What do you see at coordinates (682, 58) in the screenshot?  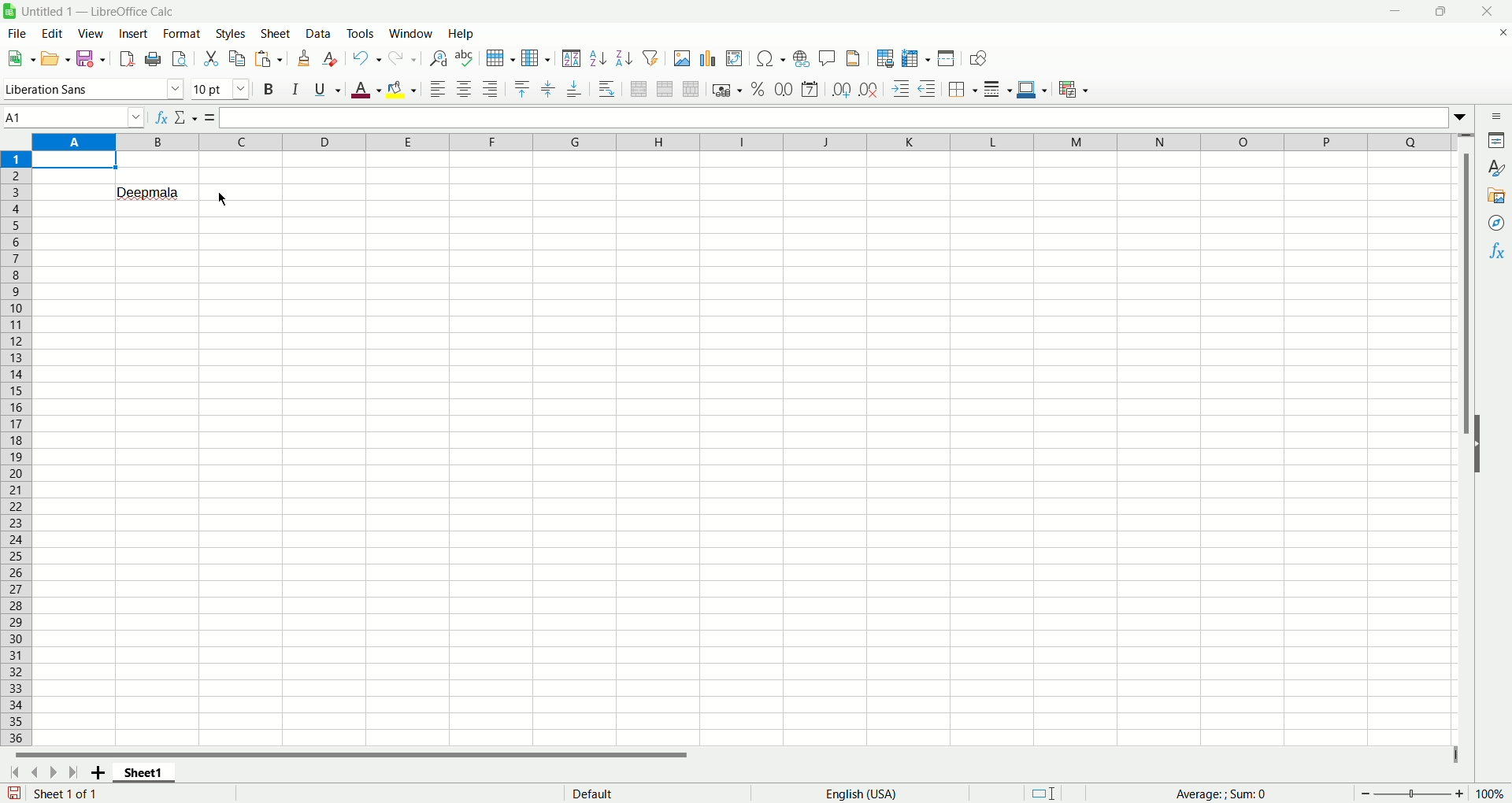 I see `Insert image` at bounding box center [682, 58].